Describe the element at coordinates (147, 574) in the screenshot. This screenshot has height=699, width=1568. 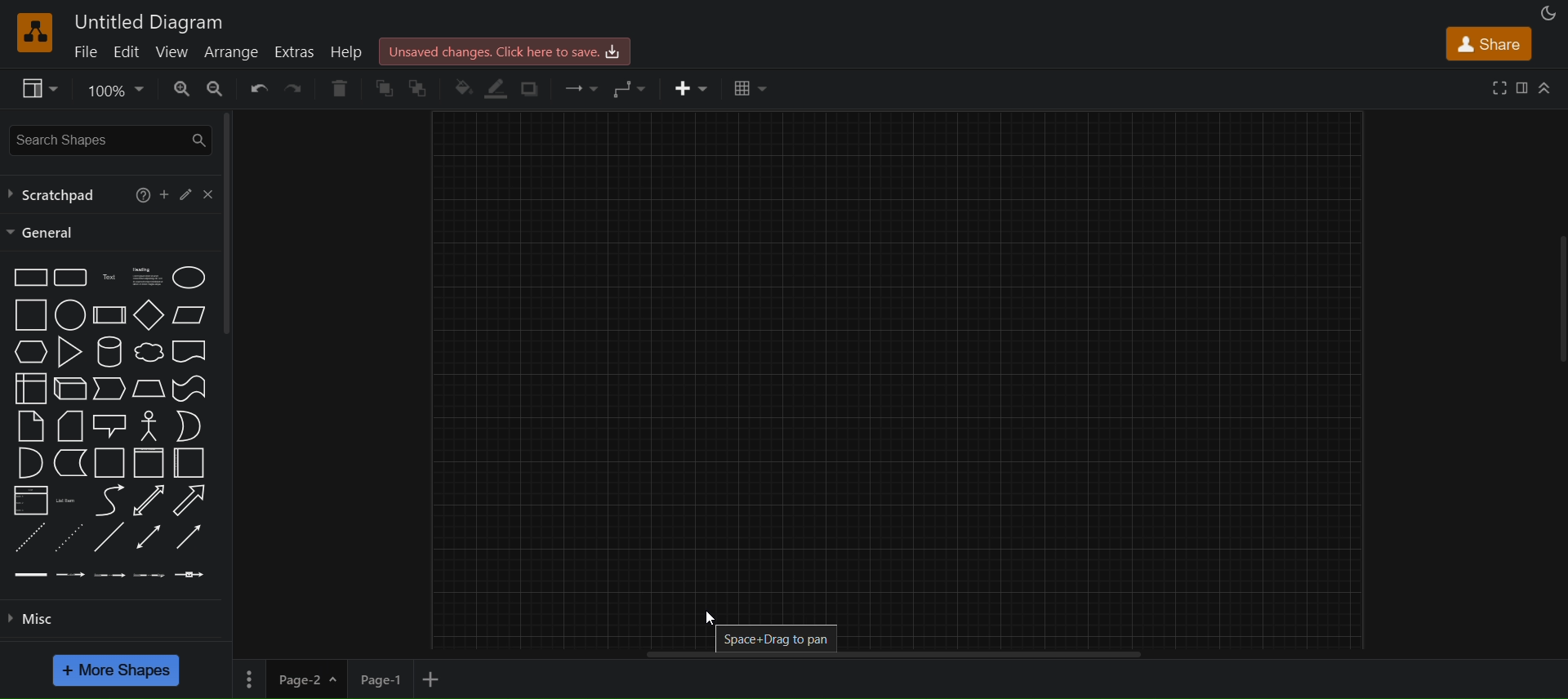
I see `connector with 3 labels` at that location.